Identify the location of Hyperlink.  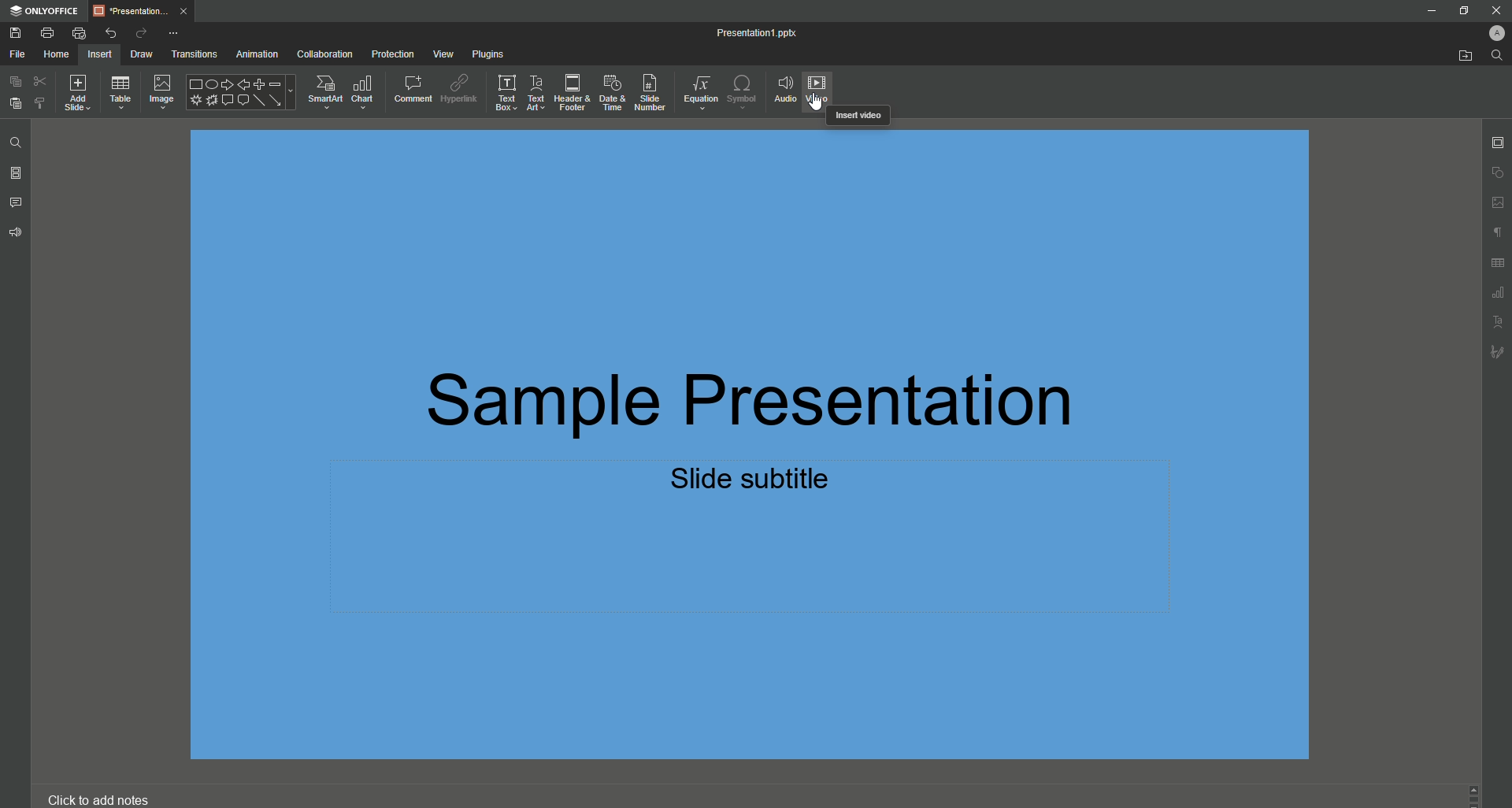
(458, 87).